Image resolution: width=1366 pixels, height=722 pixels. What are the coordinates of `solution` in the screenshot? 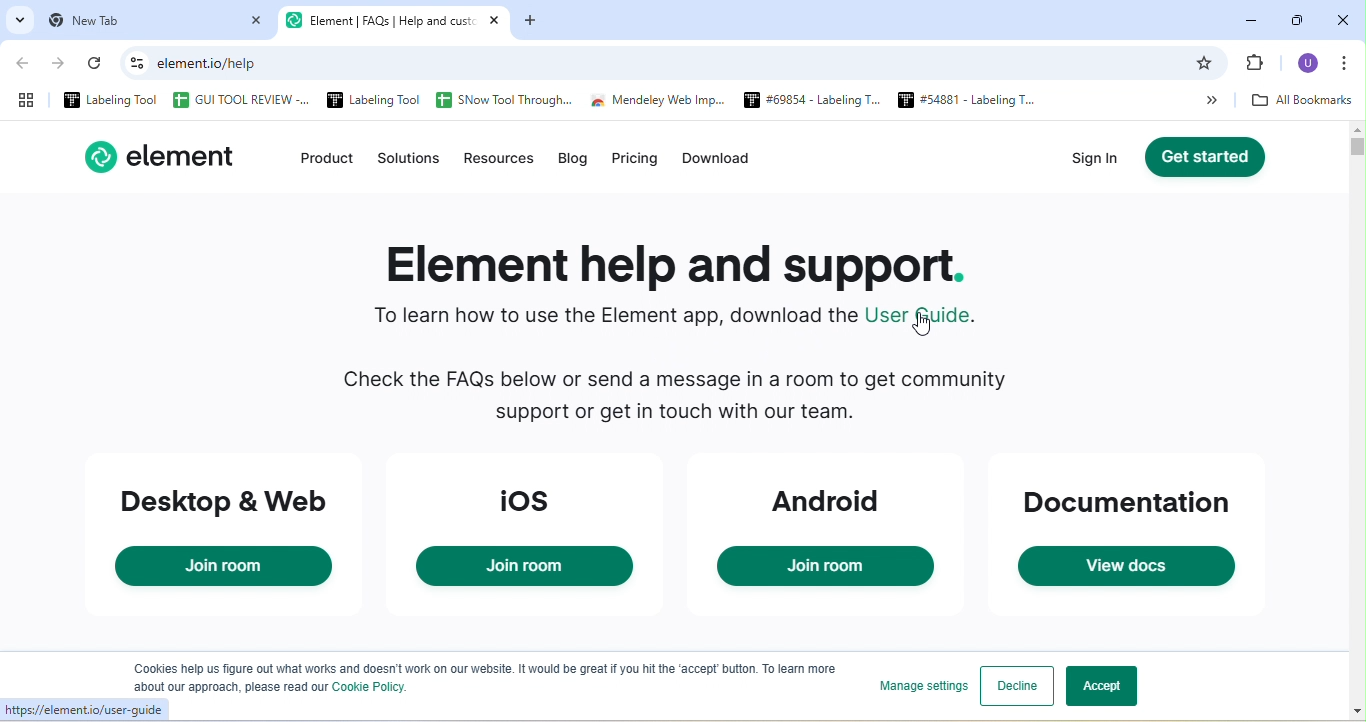 It's located at (407, 161).